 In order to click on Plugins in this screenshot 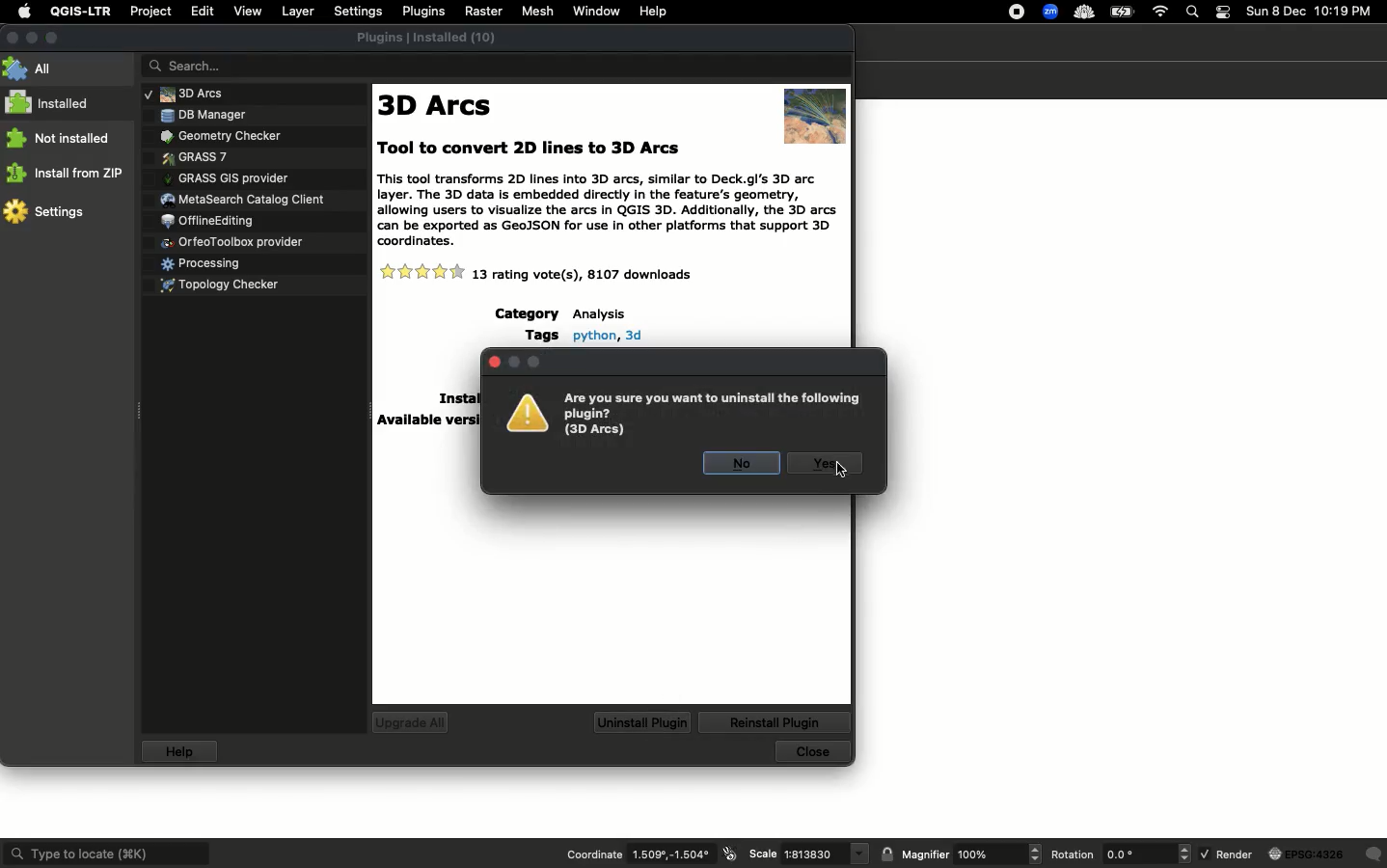, I will do `click(226, 176)`.